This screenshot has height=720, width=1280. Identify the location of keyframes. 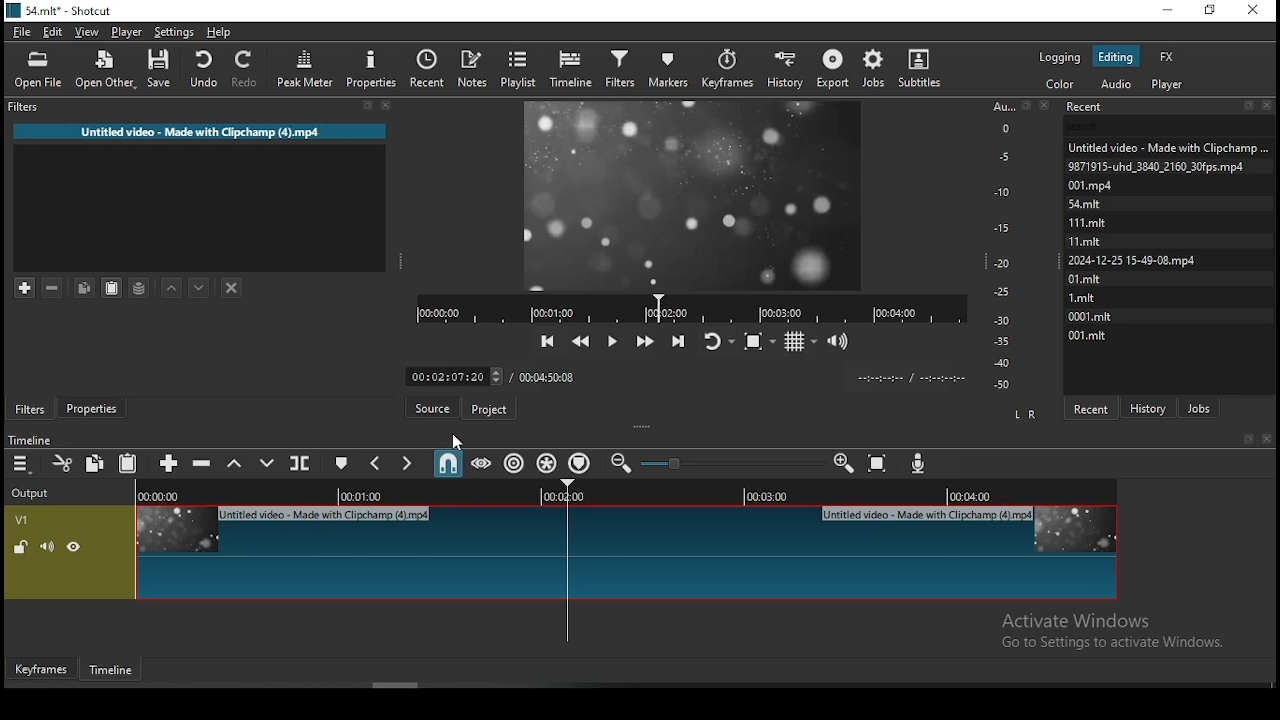
(727, 68).